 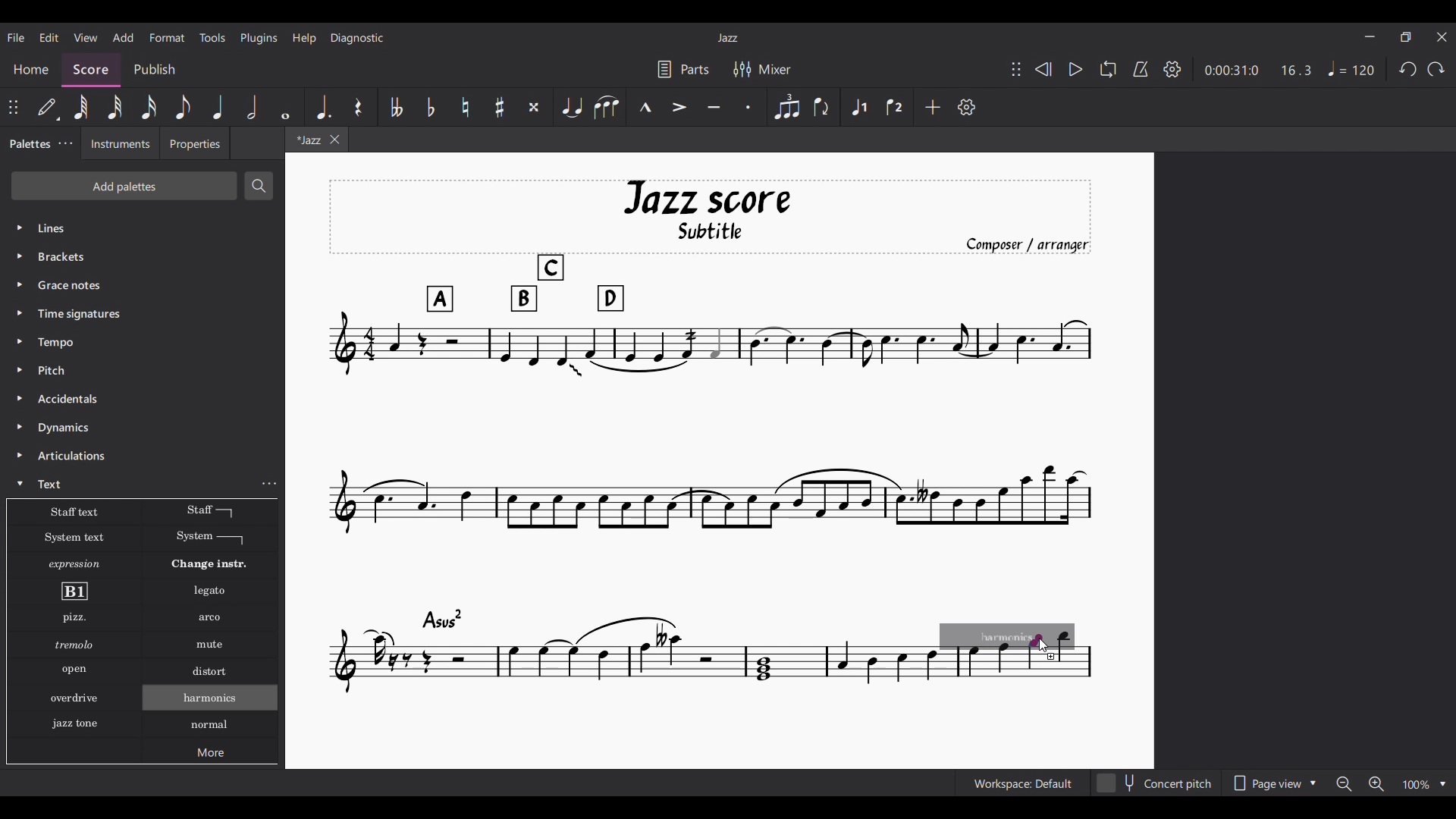 I want to click on Pitch, so click(x=55, y=370).